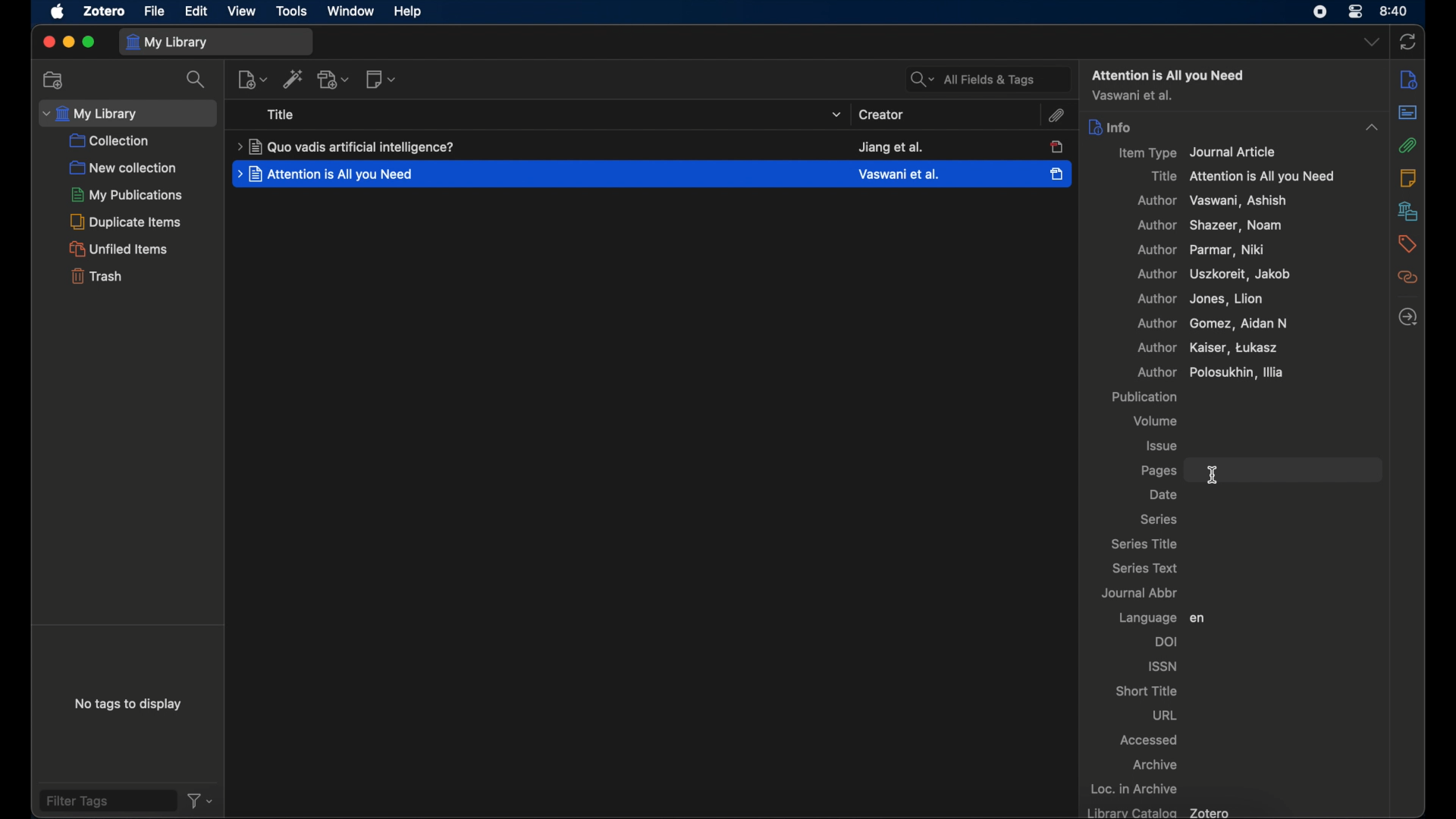  I want to click on duplicate items, so click(127, 221).